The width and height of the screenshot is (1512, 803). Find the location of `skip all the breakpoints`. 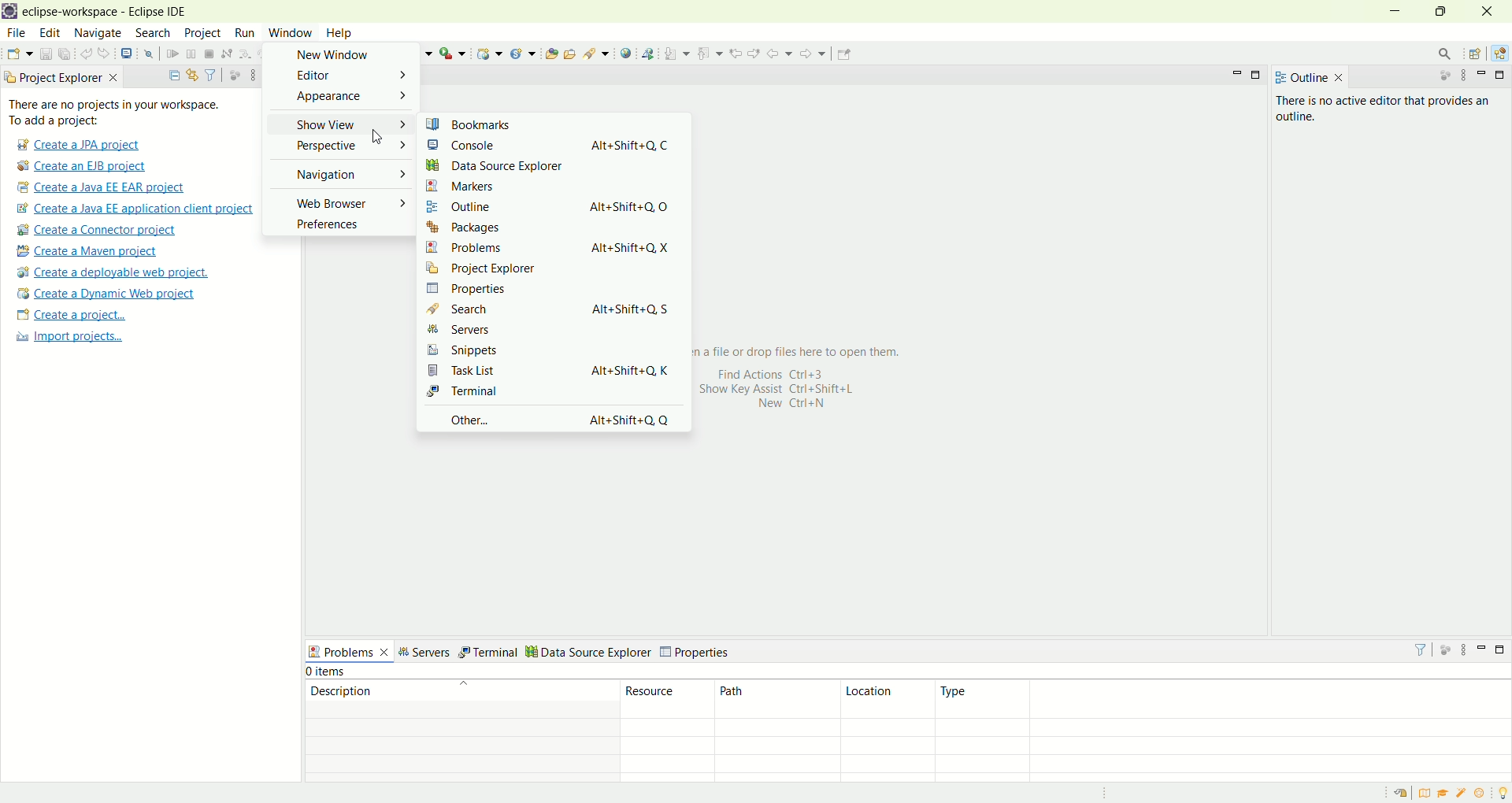

skip all the breakpoints is located at coordinates (148, 54).